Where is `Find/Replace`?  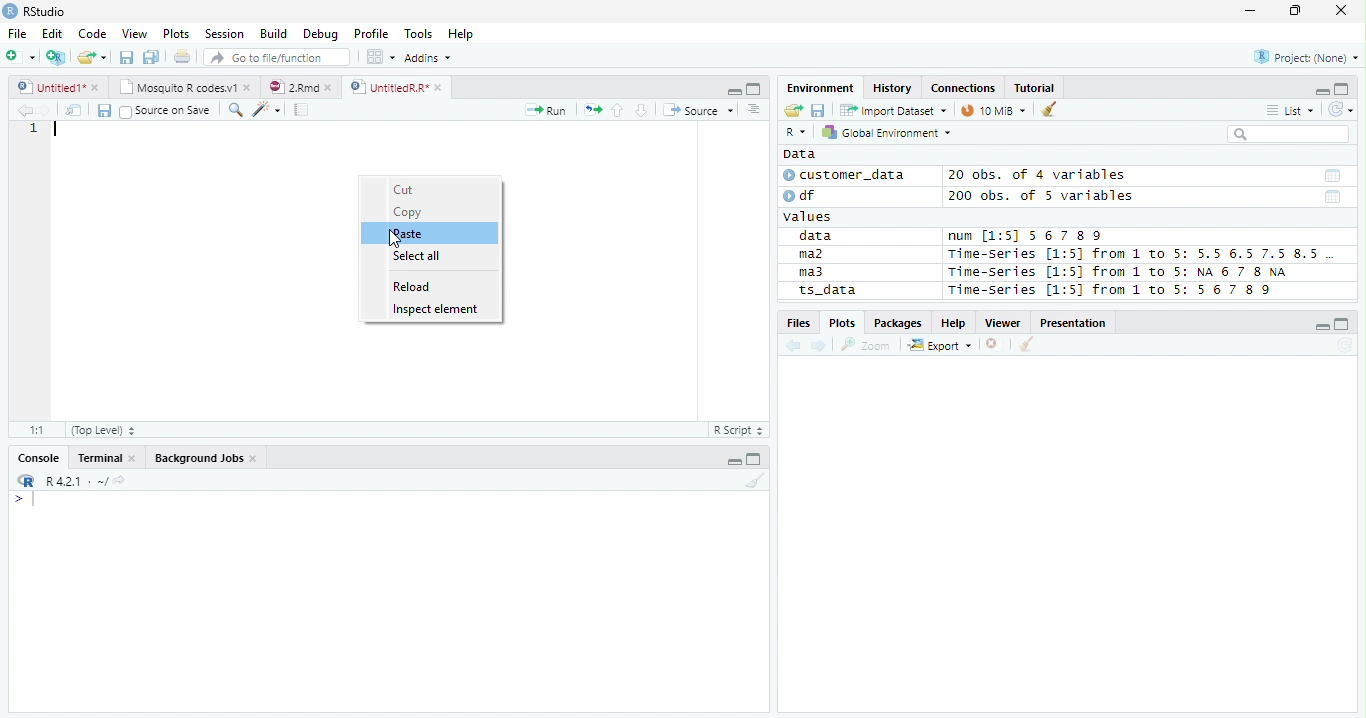
Find/Replace is located at coordinates (234, 109).